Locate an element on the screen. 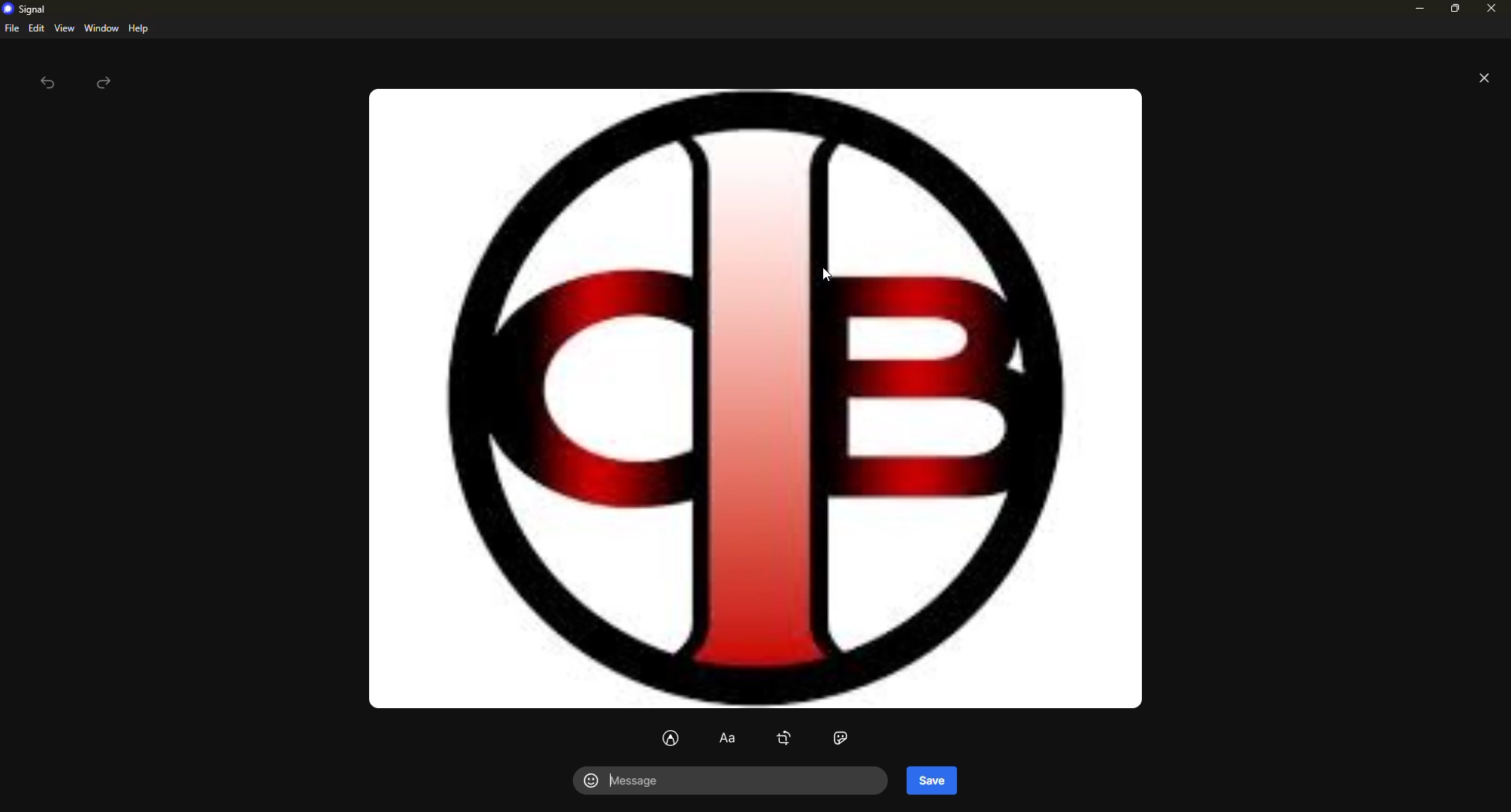 The height and width of the screenshot is (812, 1511). square is located at coordinates (785, 737).